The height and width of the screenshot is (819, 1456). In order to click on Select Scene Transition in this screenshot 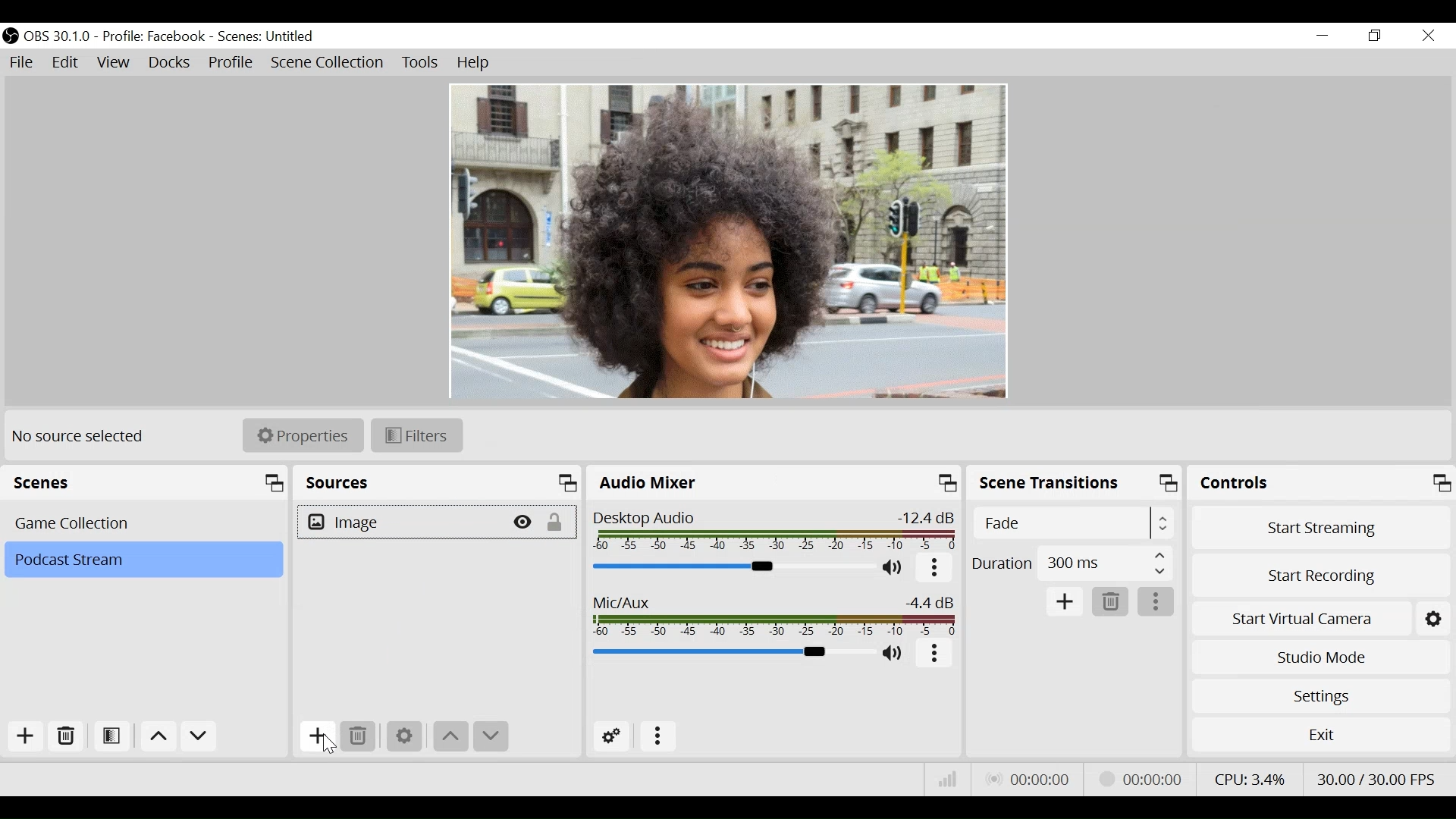, I will do `click(1075, 524)`.